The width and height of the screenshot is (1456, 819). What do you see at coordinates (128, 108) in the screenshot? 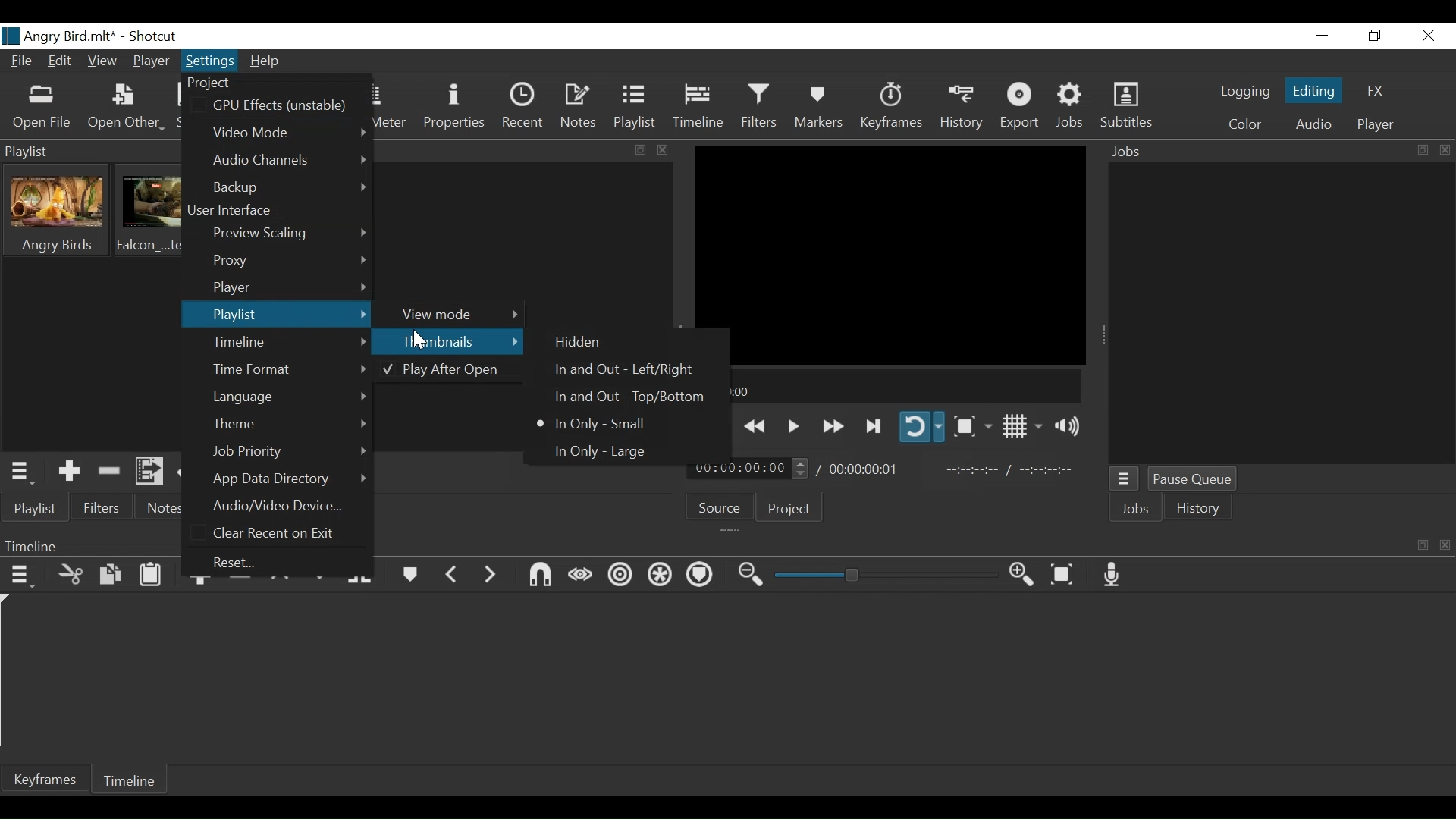
I see `Open Other` at bounding box center [128, 108].